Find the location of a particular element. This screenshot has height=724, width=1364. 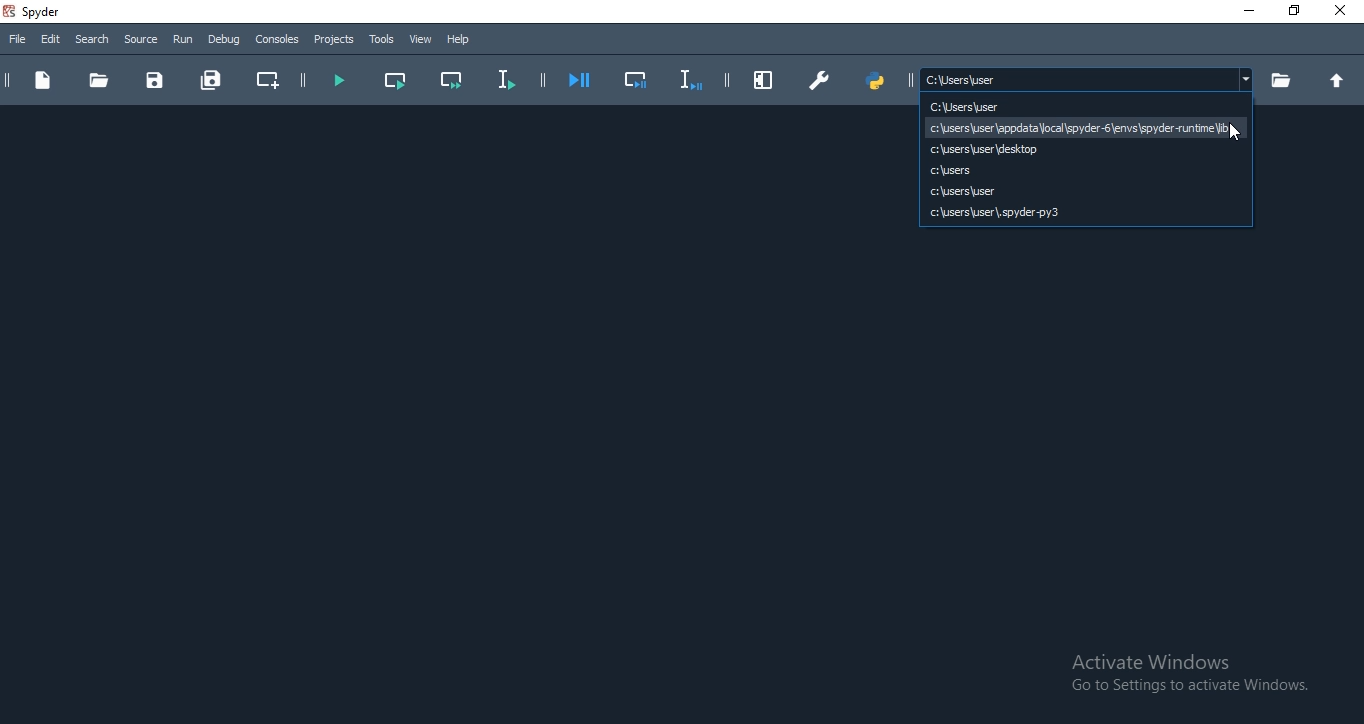

C:\Users is located at coordinates (1085, 170).